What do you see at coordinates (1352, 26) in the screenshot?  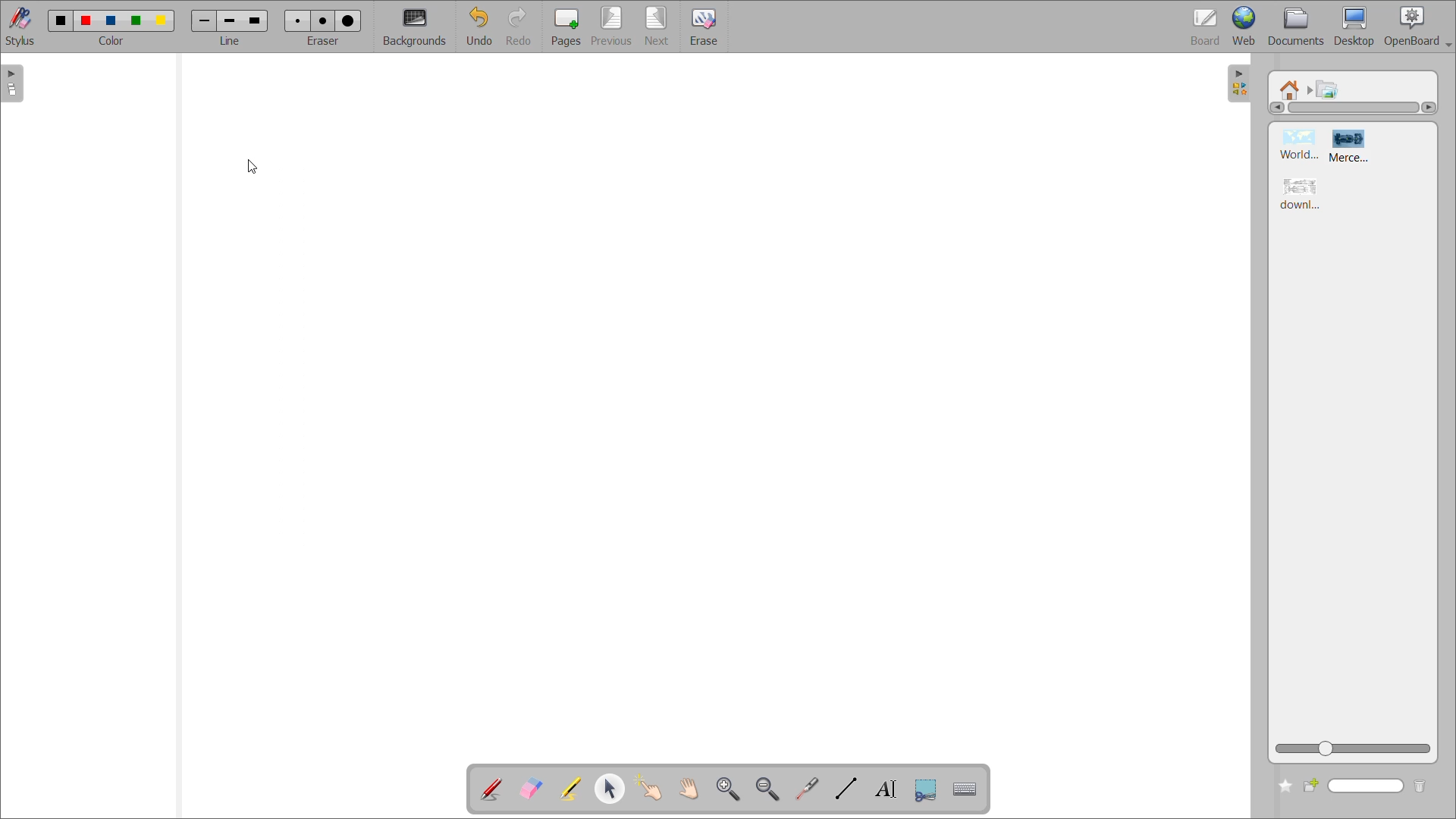 I see `desktop` at bounding box center [1352, 26].